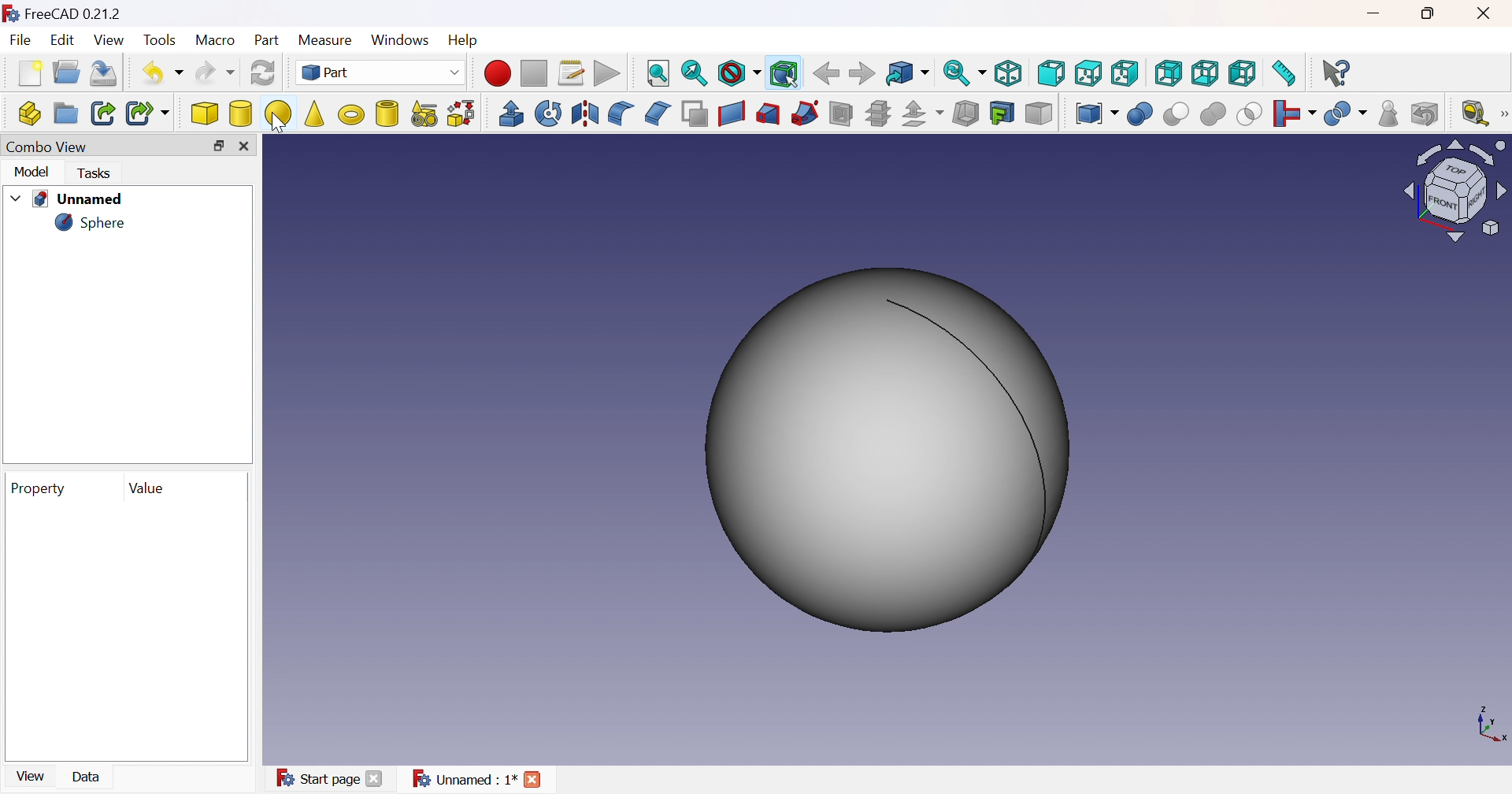 This screenshot has height=794, width=1512. I want to click on Part, so click(381, 72).